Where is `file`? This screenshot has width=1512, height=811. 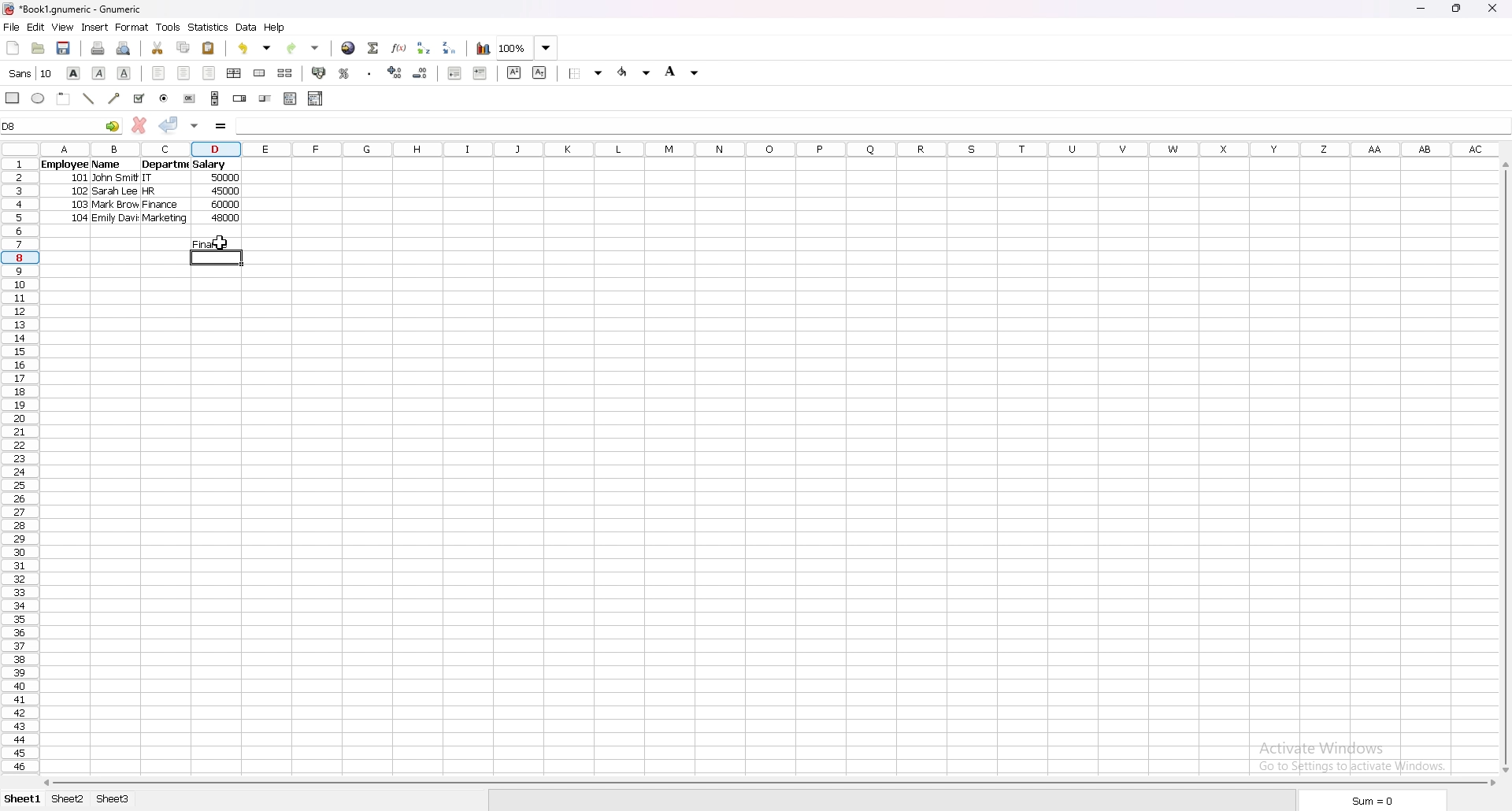 file is located at coordinates (11, 26).